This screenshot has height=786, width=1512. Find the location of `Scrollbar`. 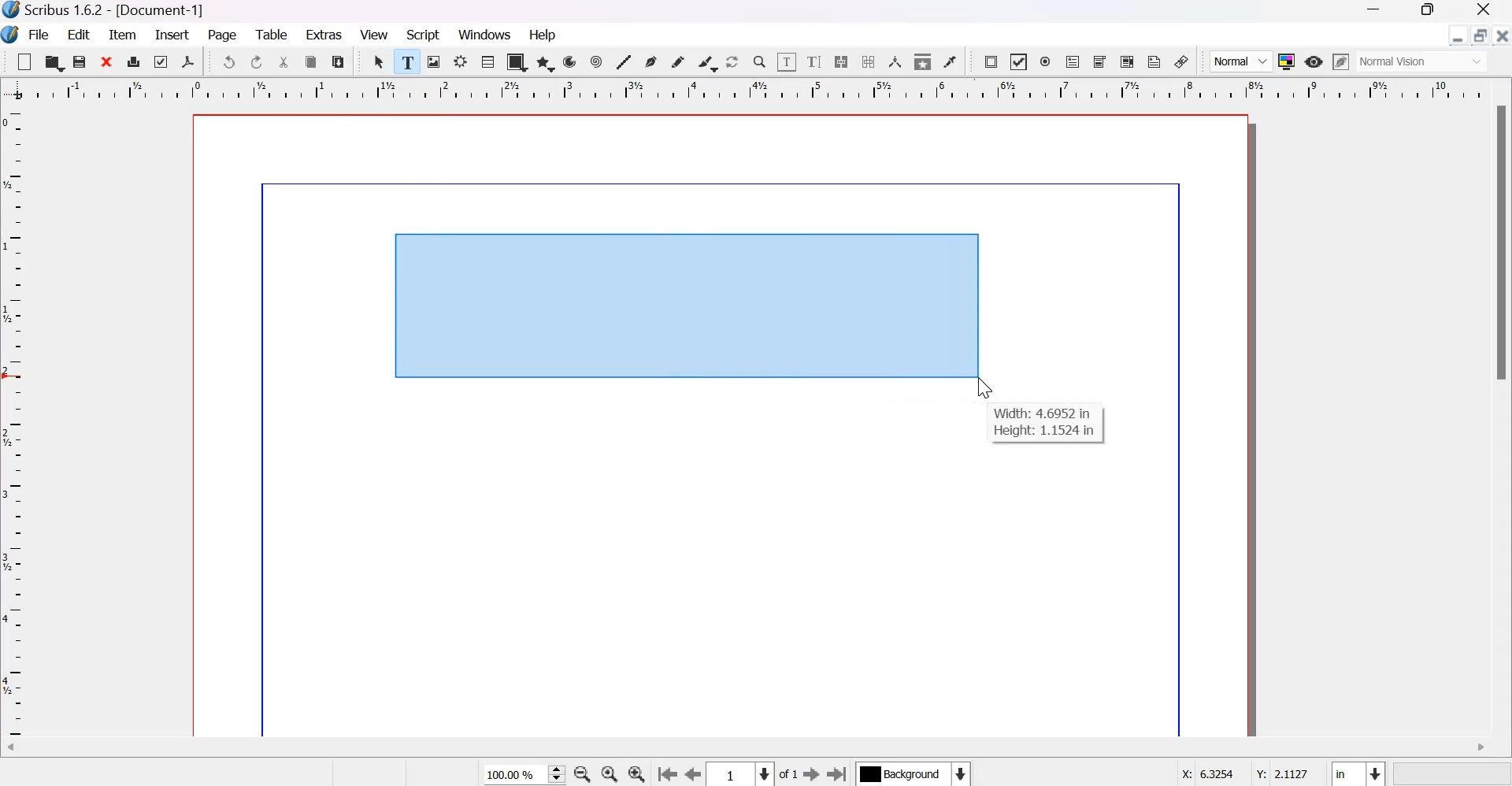

Scrollbar is located at coordinates (1503, 244).